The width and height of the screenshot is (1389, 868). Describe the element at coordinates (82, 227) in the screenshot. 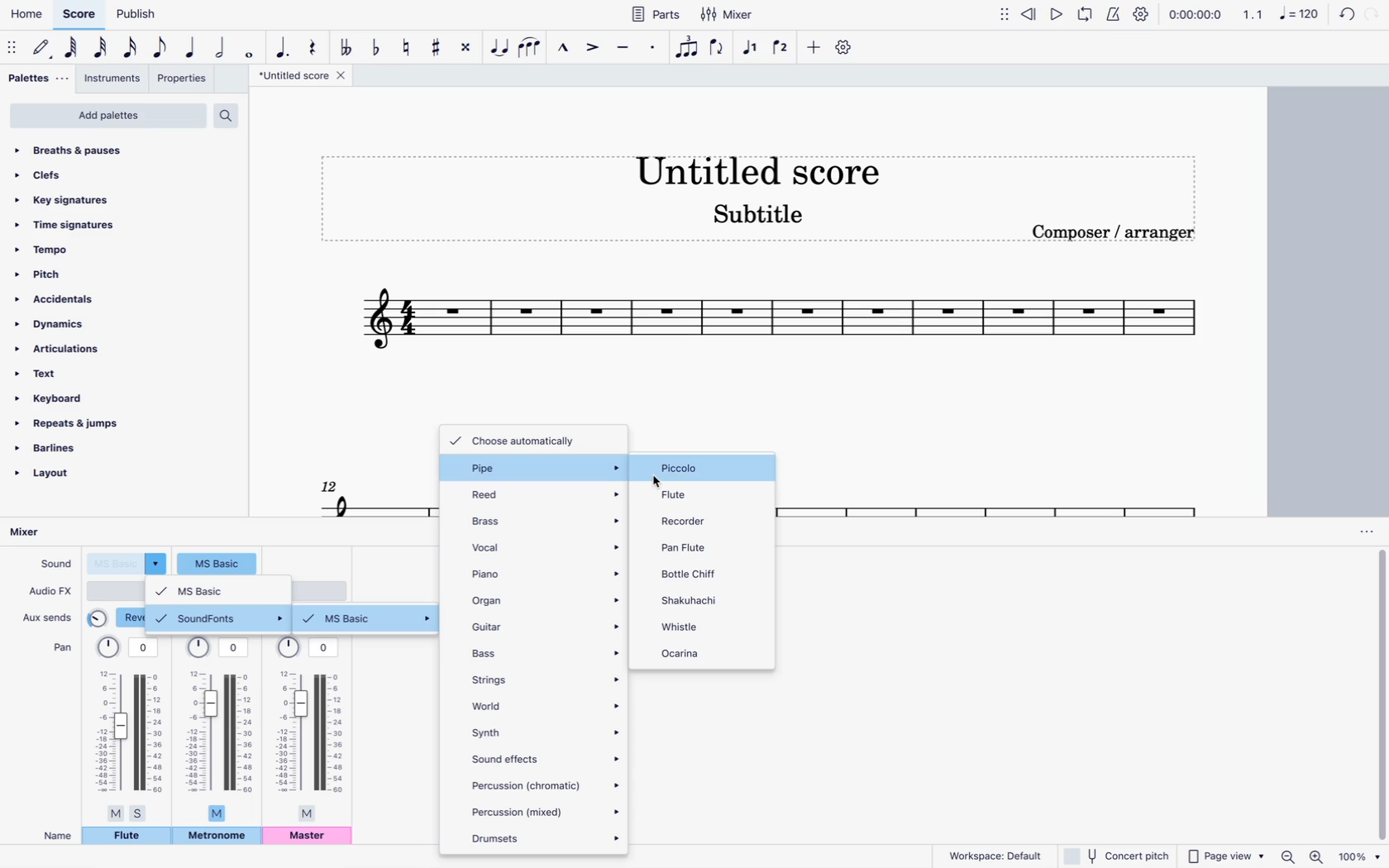

I see `time signatures` at that location.